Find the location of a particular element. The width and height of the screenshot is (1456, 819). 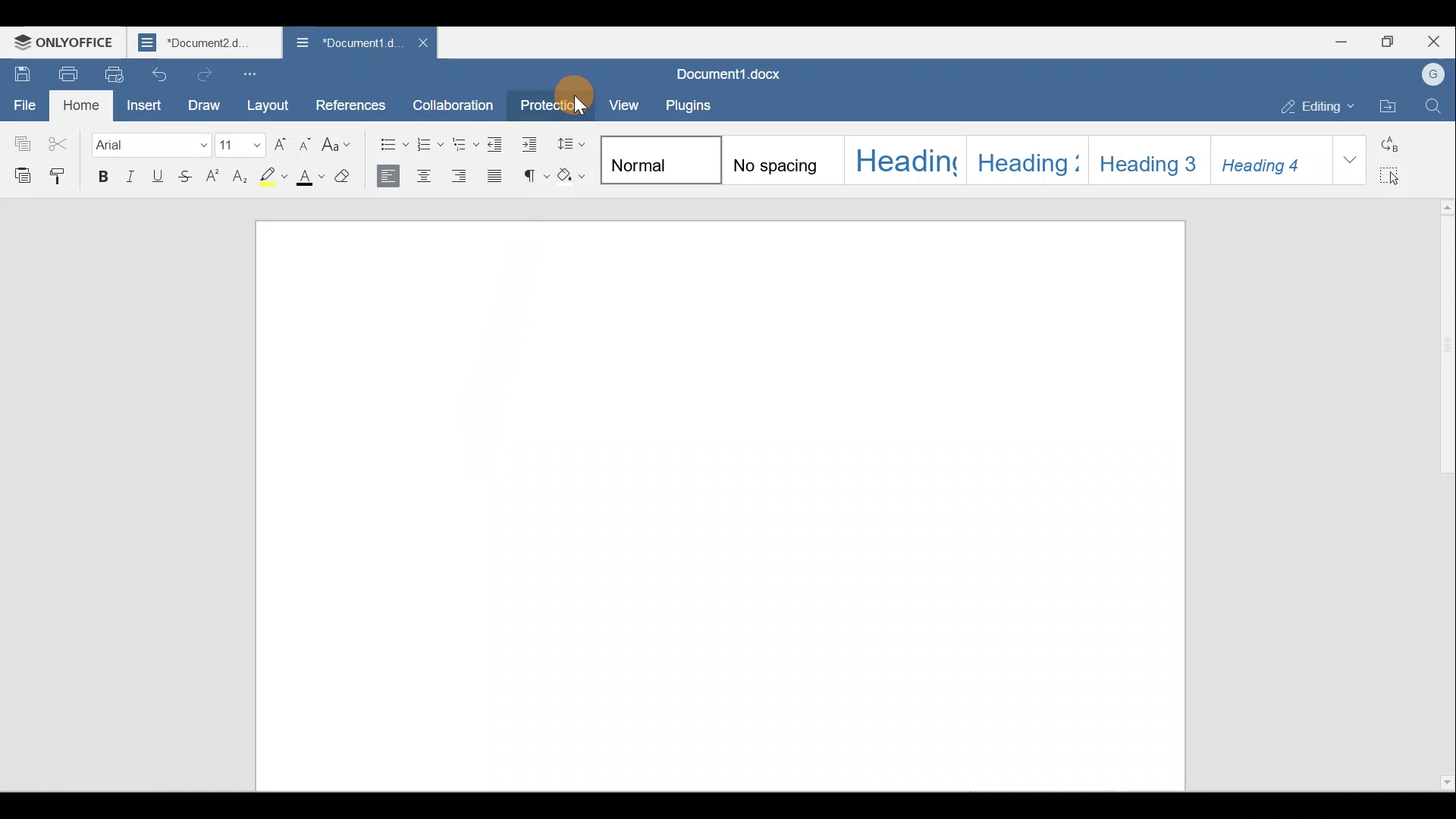

Style 3 is located at coordinates (906, 158).